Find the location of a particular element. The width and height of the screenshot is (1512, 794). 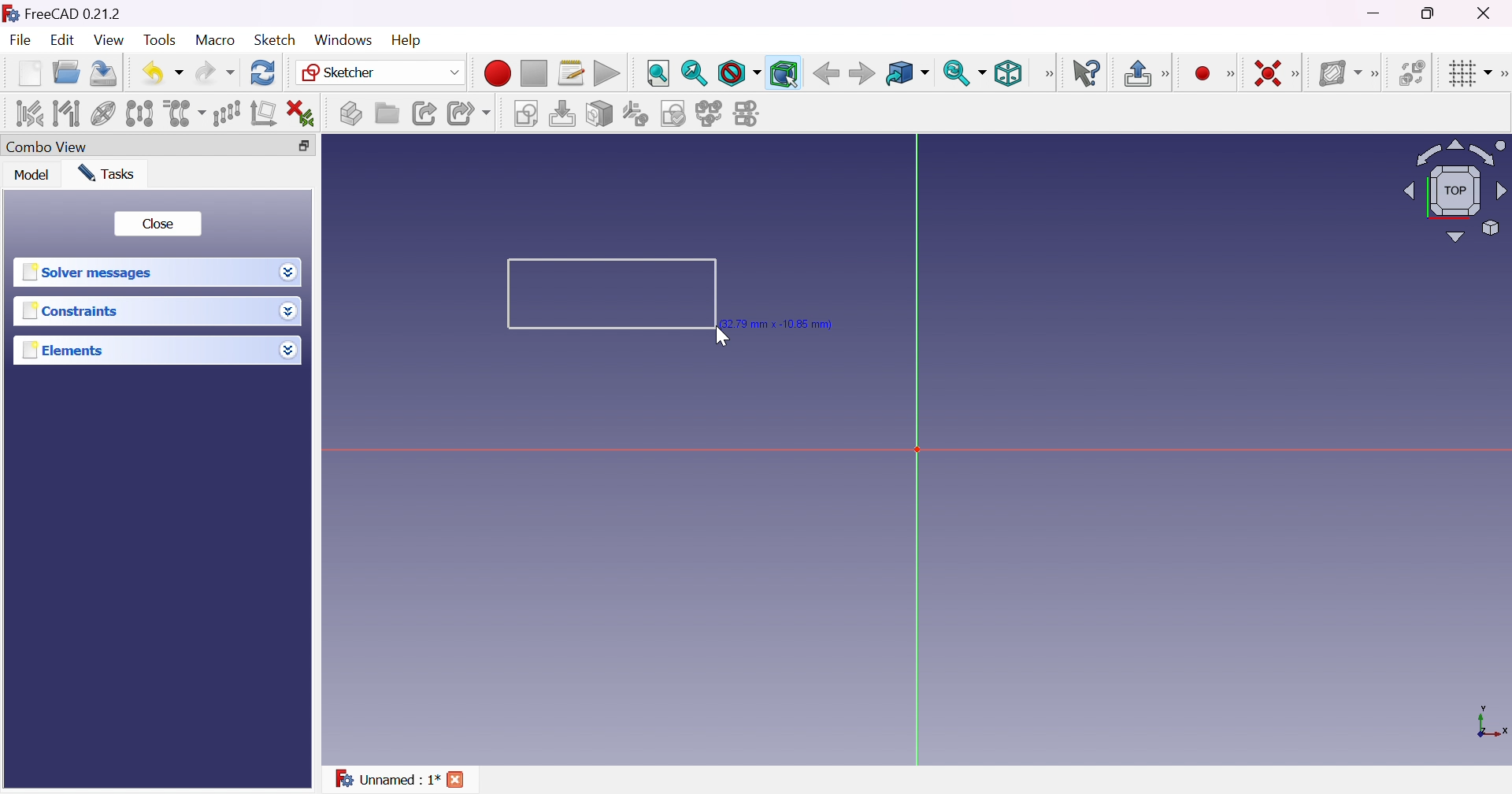

Forward is located at coordinates (862, 74).